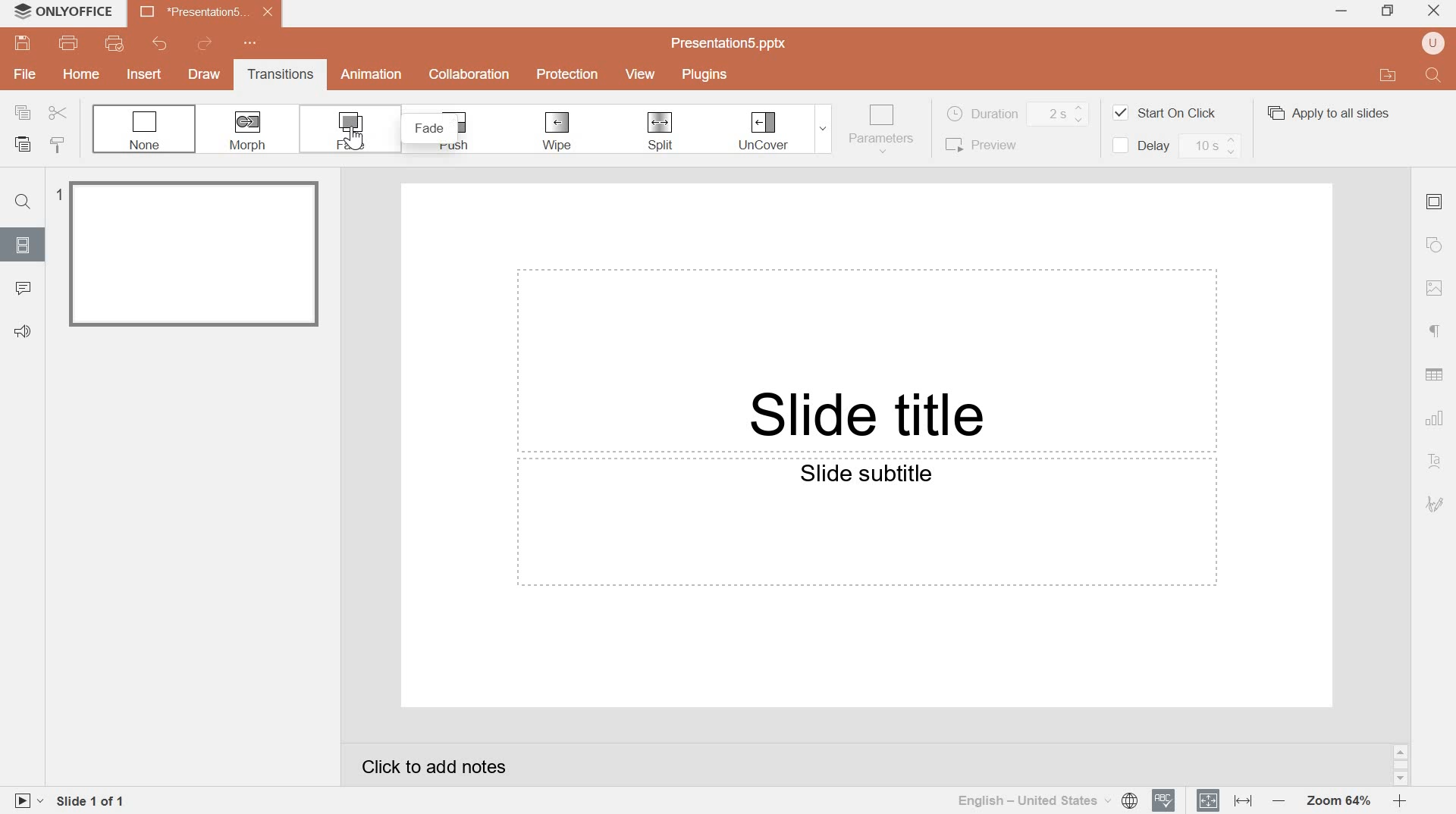 This screenshot has width=1456, height=814. Describe the element at coordinates (1242, 800) in the screenshot. I see `Fit to width` at that location.